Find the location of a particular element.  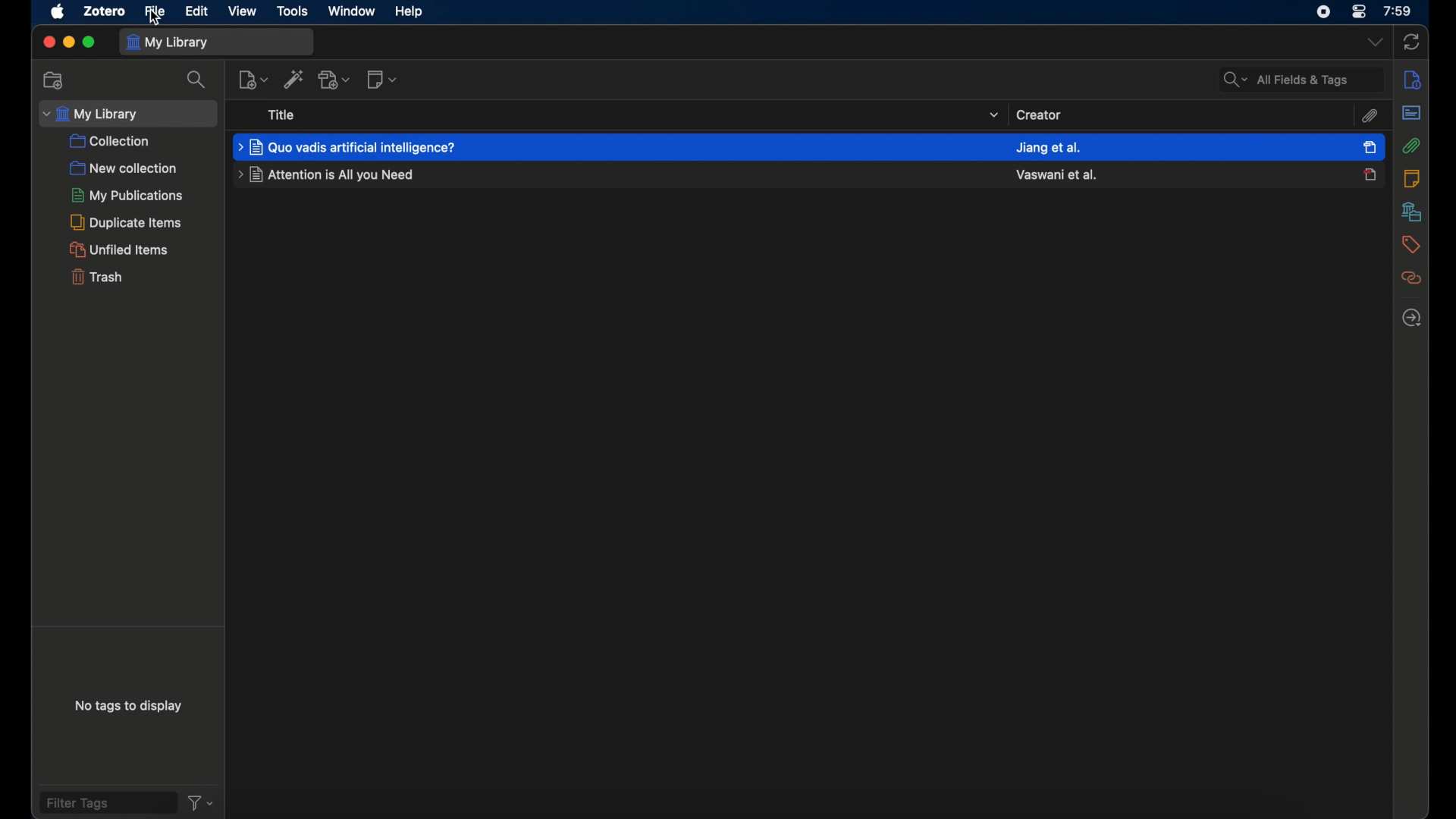

tools is located at coordinates (290, 11).